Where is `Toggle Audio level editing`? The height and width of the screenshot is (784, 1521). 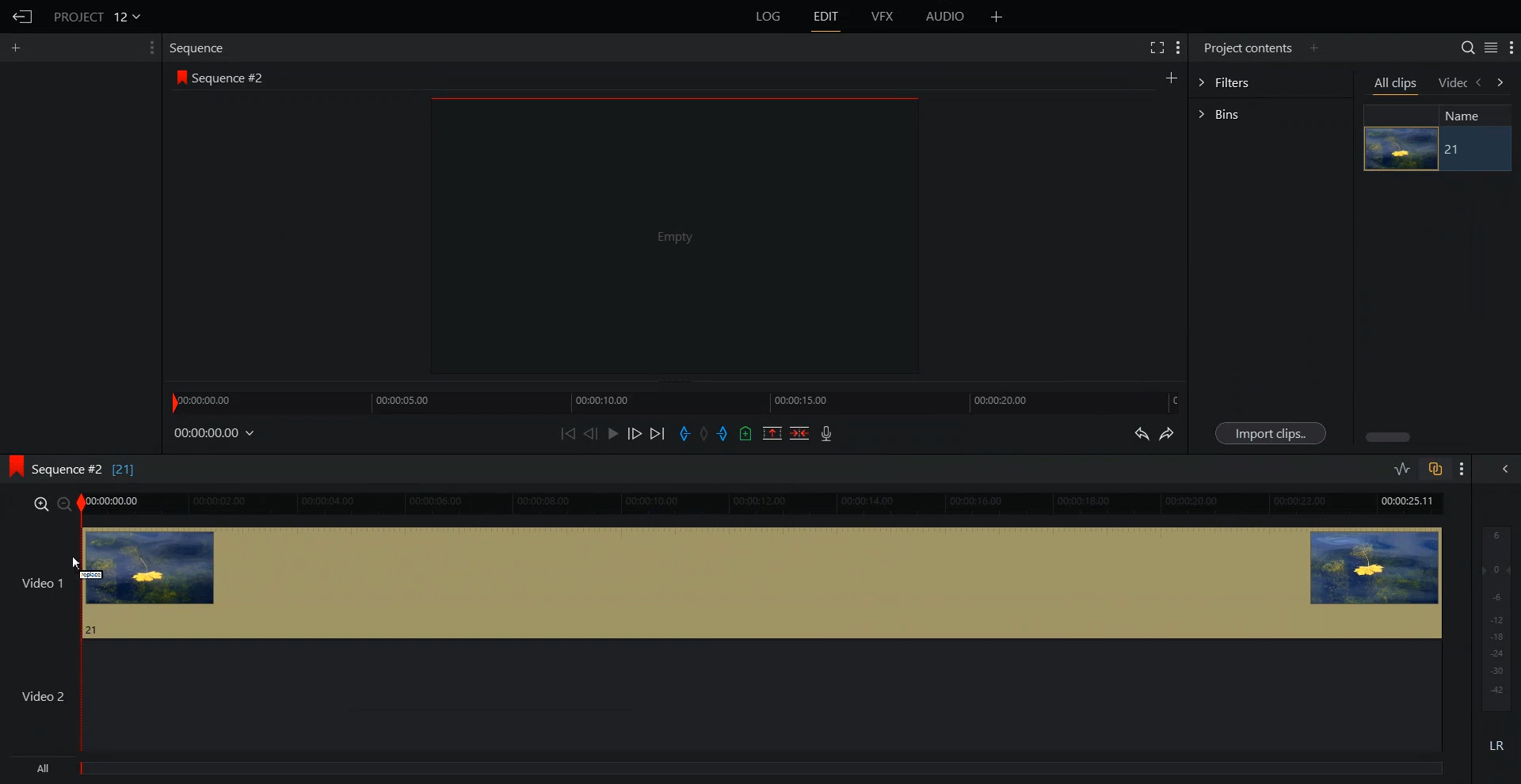
Toggle Audio level editing is located at coordinates (1401, 470).